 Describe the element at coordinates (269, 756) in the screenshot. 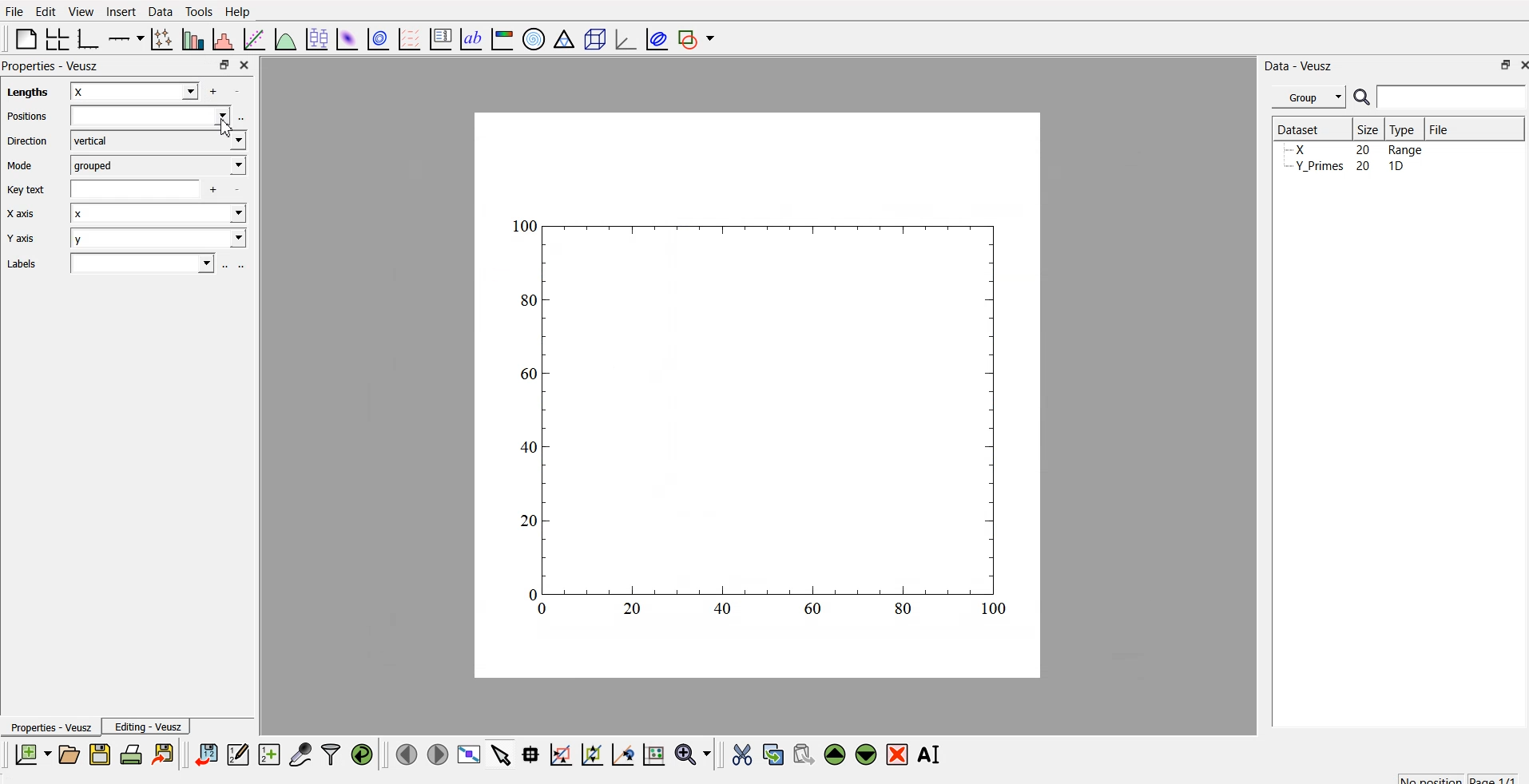

I see `create a new dataset` at that location.